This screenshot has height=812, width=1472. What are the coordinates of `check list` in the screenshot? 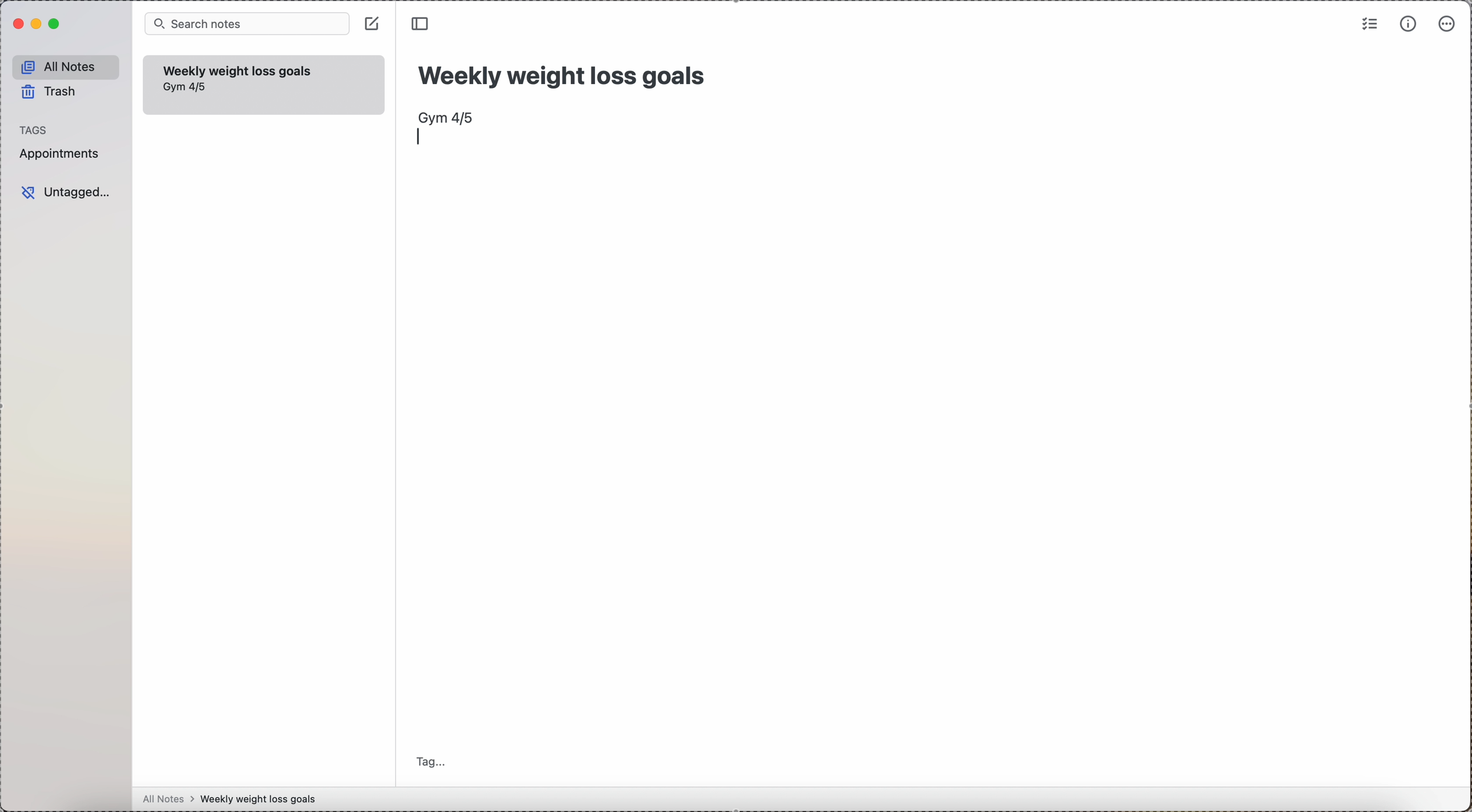 It's located at (1368, 25).